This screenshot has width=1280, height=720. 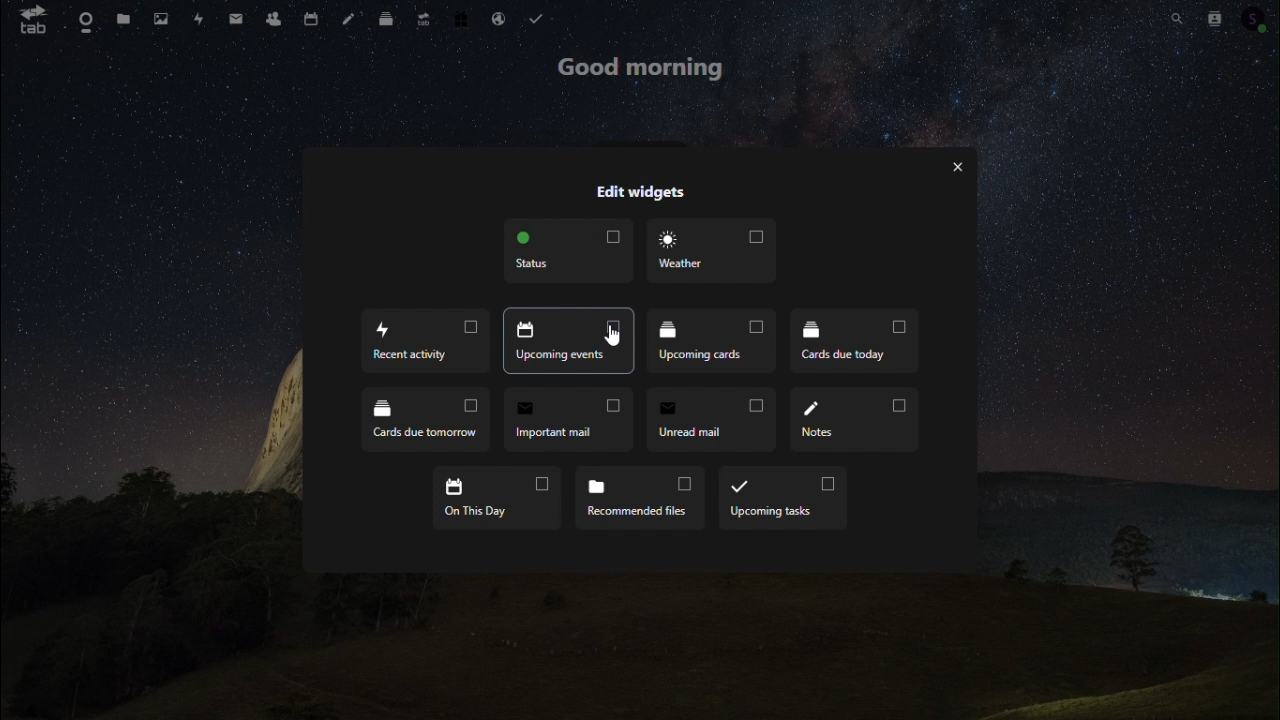 I want to click on Contacts, so click(x=1210, y=17).